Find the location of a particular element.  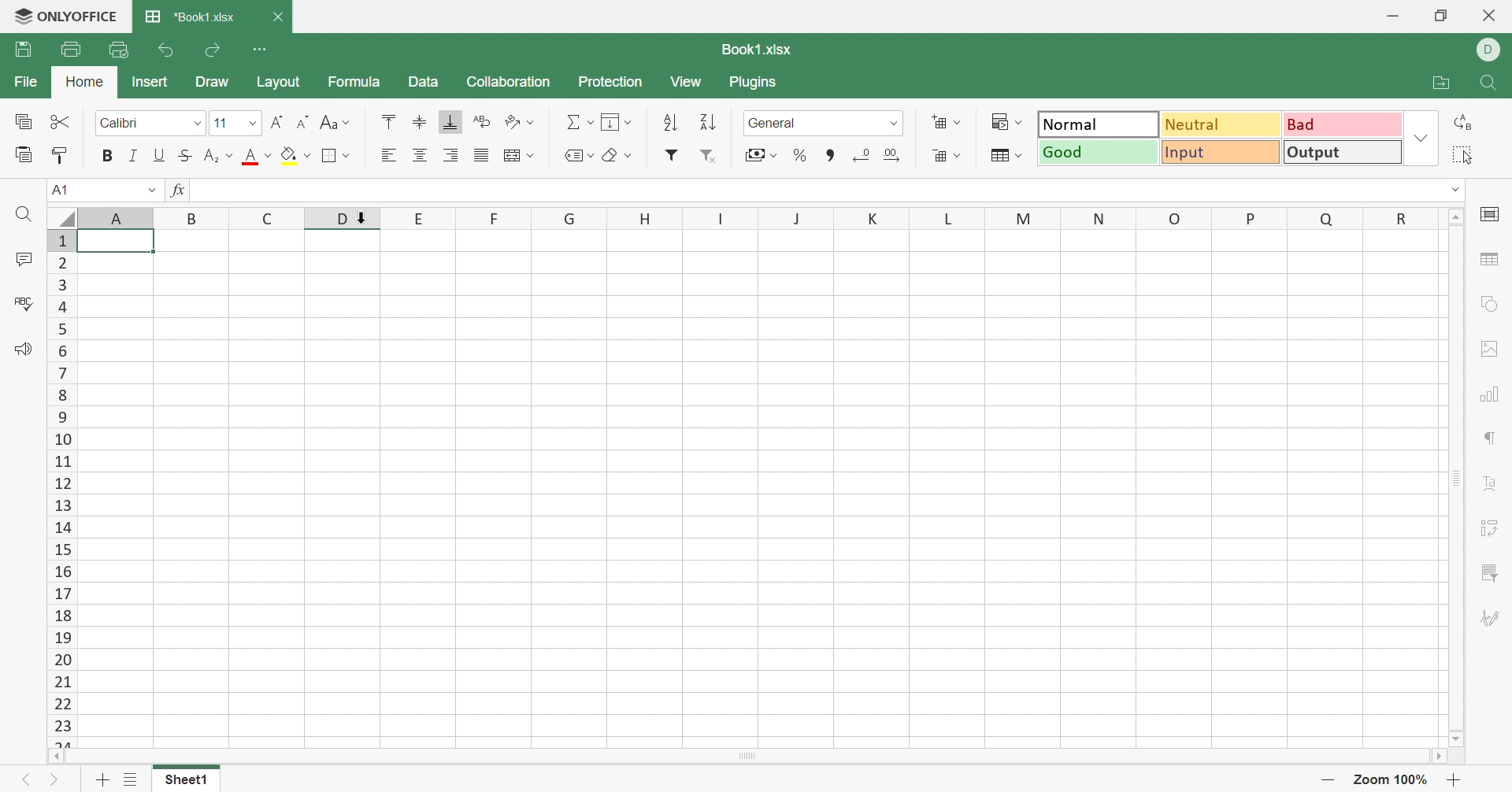

Drop Down is located at coordinates (347, 156).